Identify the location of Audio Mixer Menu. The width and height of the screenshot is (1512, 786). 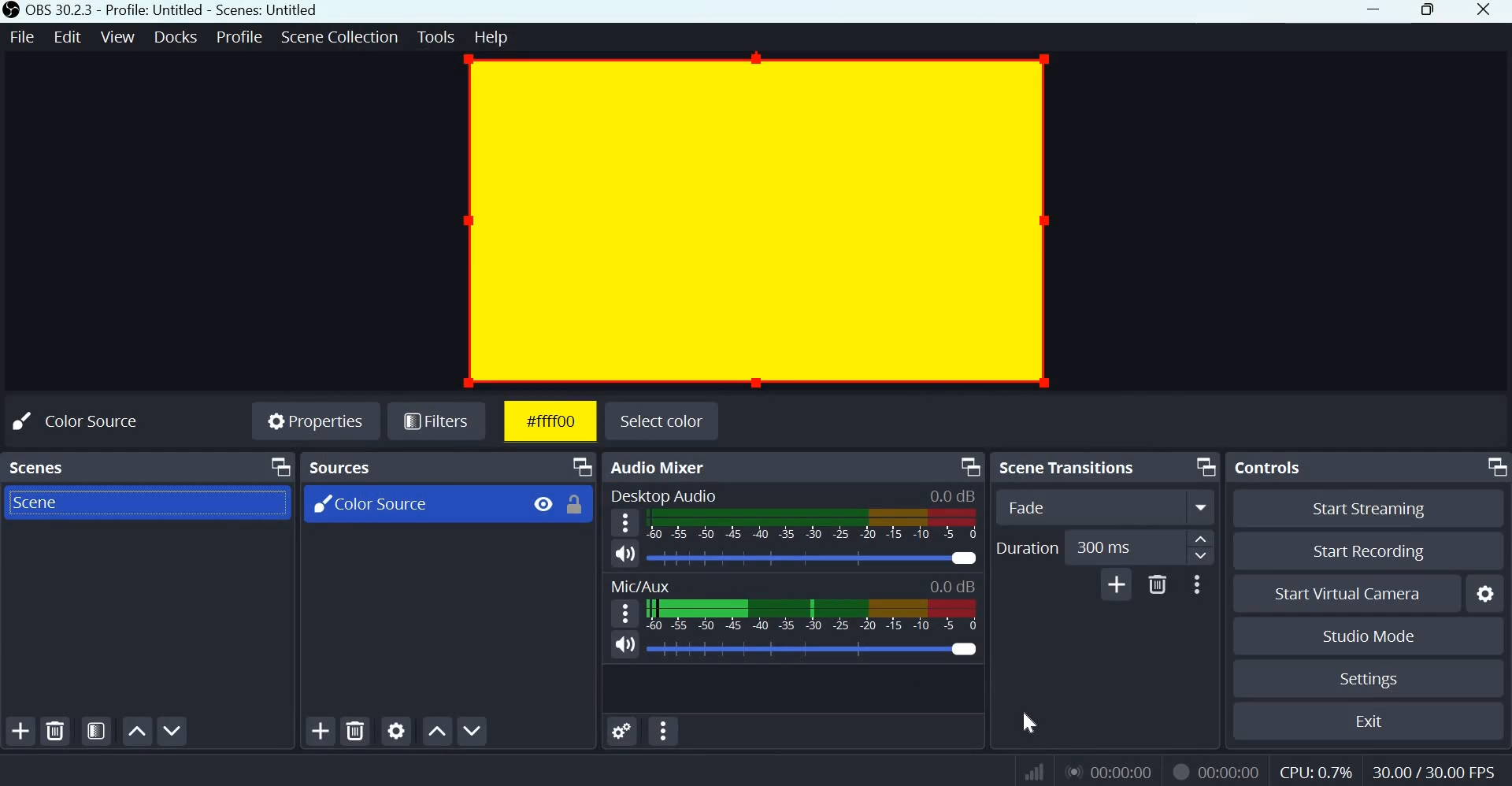
(664, 732).